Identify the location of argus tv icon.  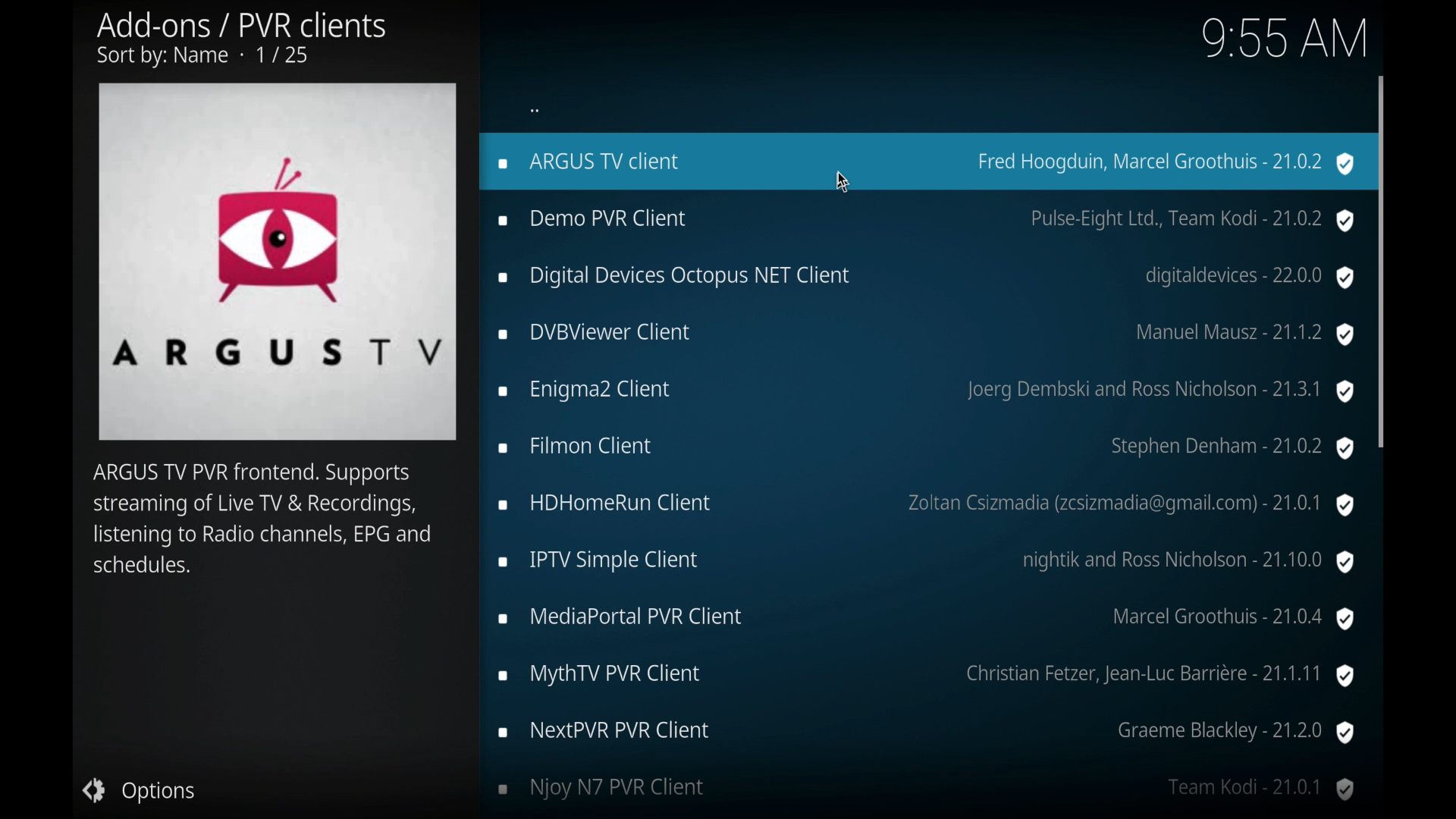
(278, 262).